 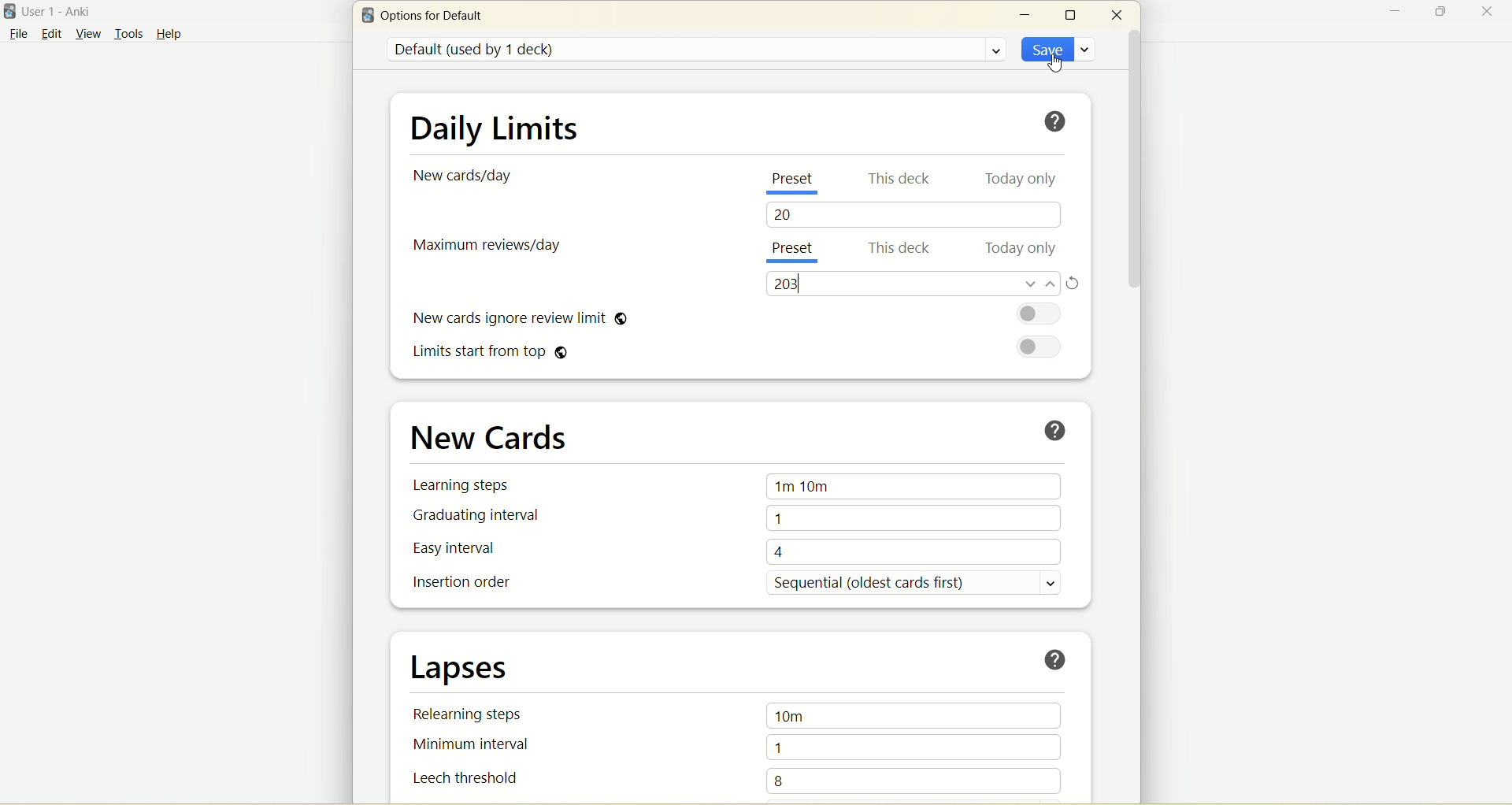 What do you see at coordinates (1043, 317) in the screenshot?
I see `toggle button` at bounding box center [1043, 317].